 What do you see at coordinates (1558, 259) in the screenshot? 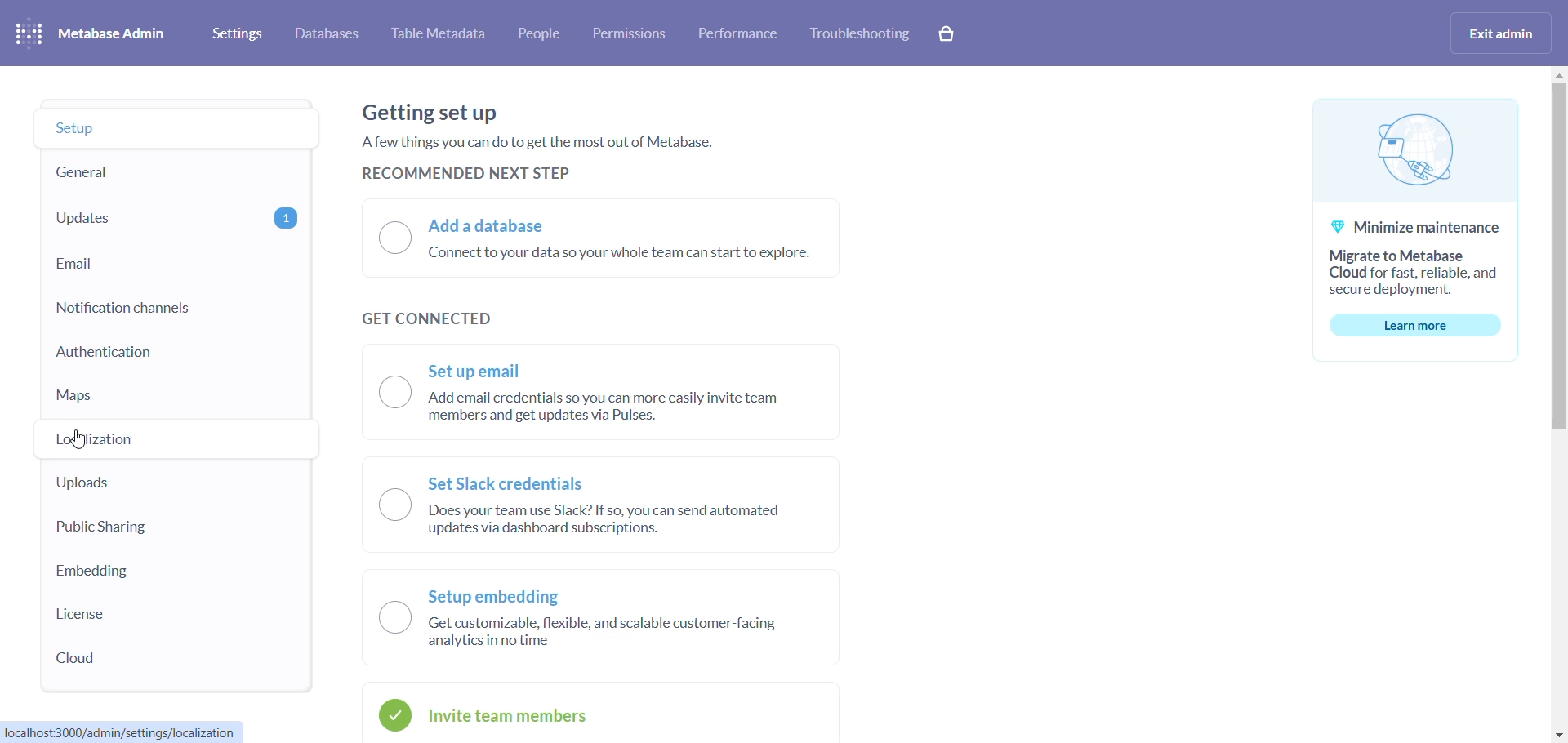
I see `scrollbar` at bounding box center [1558, 259].